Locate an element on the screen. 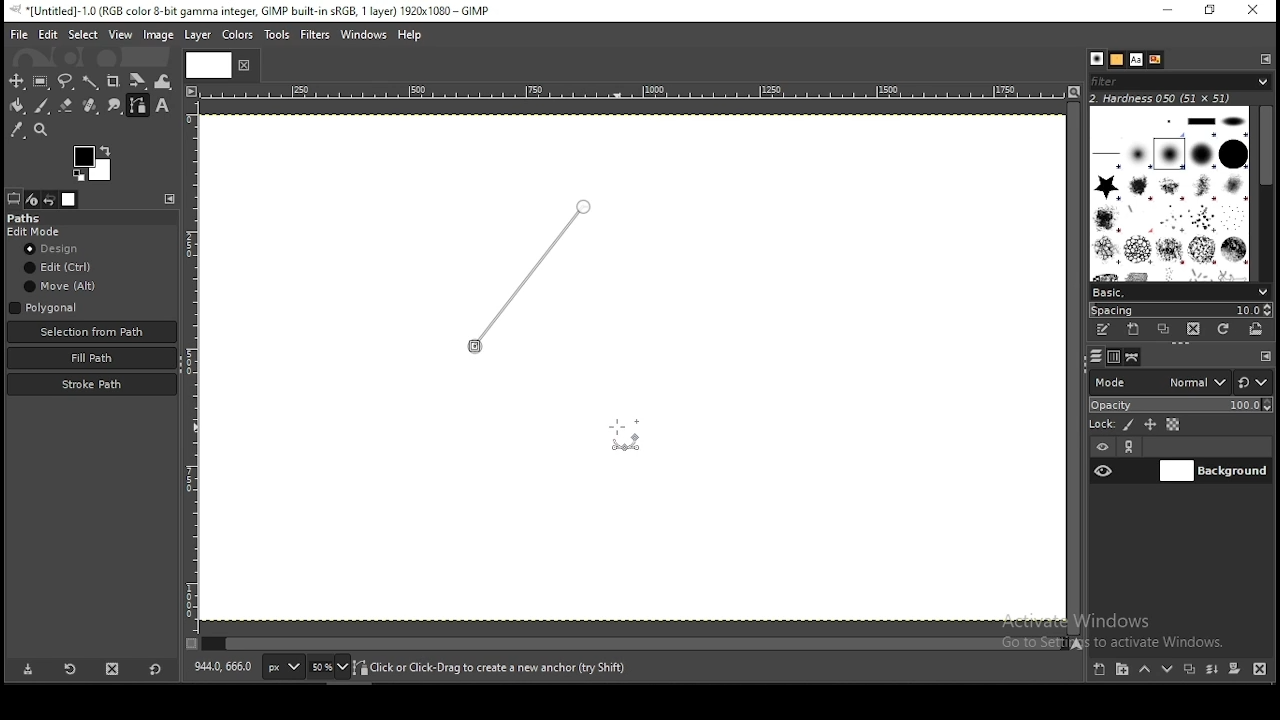 This screenshot has height=720, width=1280. free selection tool is located at coordinates (66, 81).